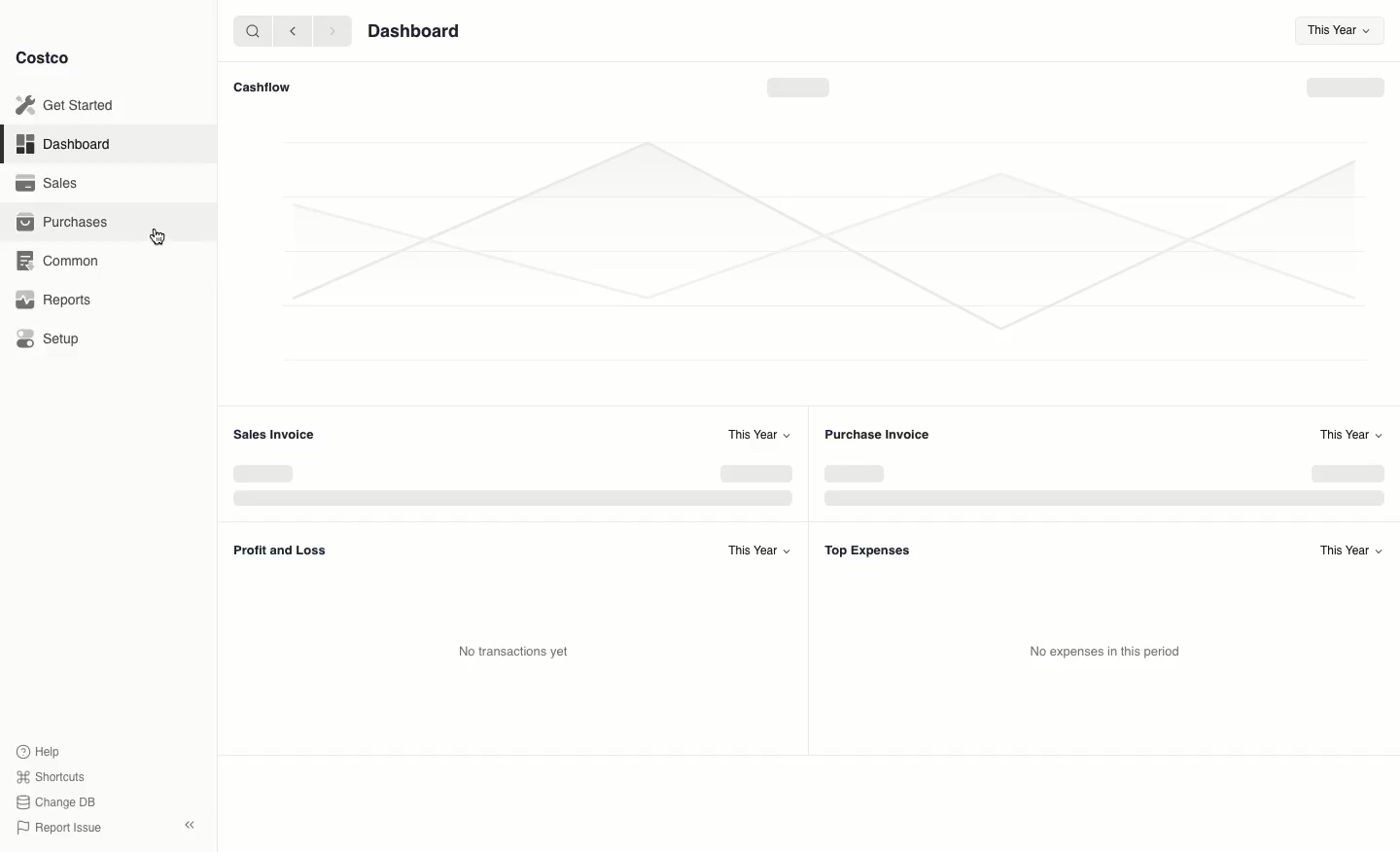  What do you see at coordinates (1350, 550) in the screenshot?
I see `This Year` at bounding box center [1350, 550].